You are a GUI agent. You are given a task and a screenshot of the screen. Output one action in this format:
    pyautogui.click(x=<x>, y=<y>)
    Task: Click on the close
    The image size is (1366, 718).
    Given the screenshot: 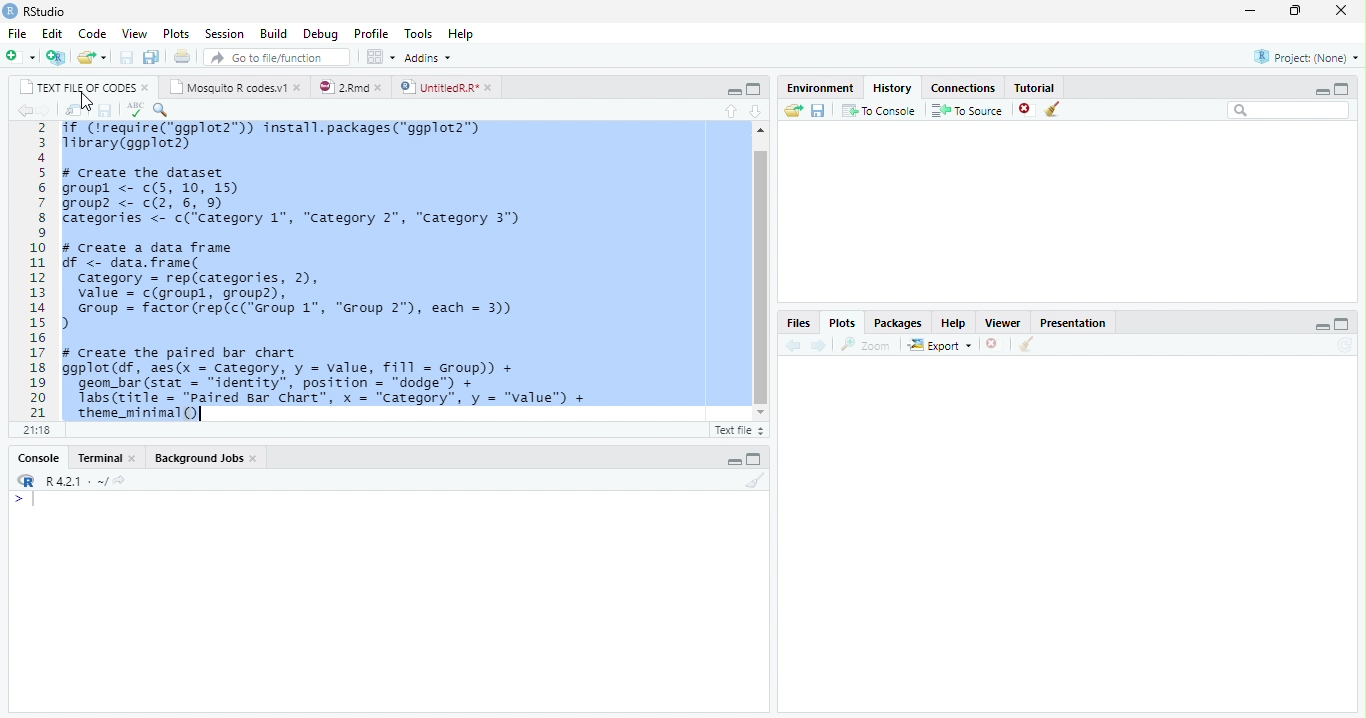 What is the action you would take?
    pyautogui.click(x=298, y=88)
    